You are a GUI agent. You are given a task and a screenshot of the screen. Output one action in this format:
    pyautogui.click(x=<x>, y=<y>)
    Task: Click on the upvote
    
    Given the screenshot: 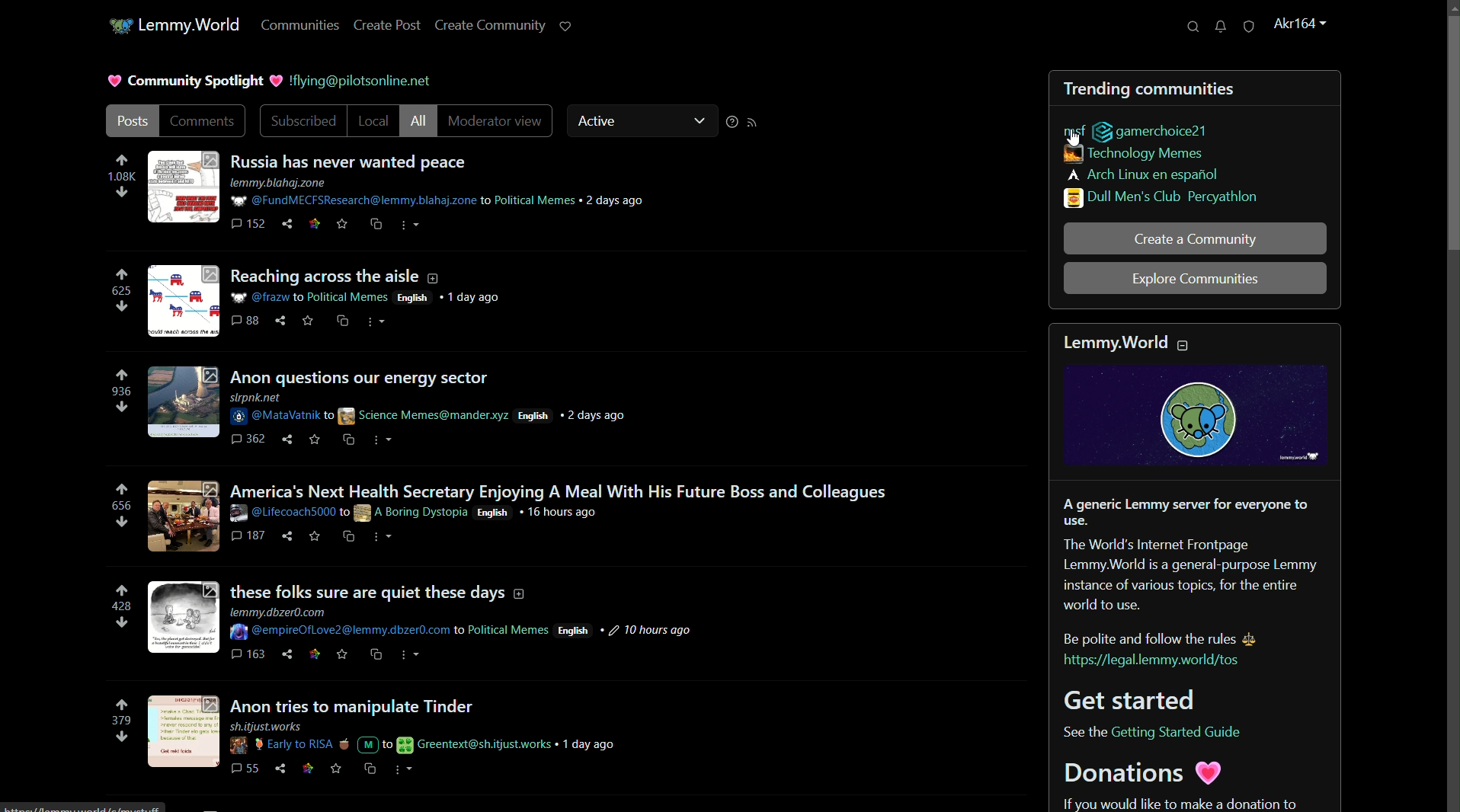 What is the action you would take?
    pyautogui.click(x=120, y=275)
    